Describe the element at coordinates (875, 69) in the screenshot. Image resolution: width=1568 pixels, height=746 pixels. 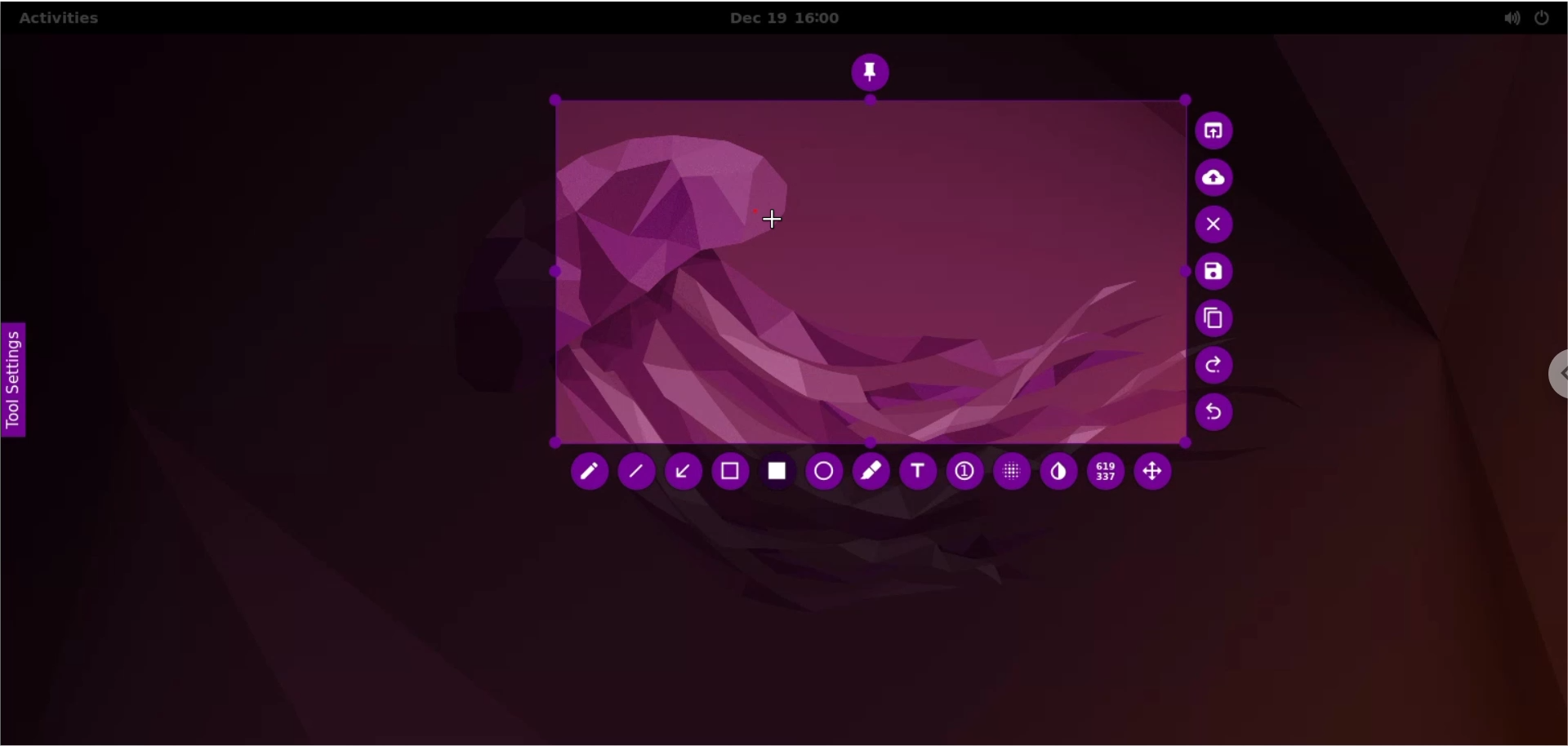
I see `pin ` at that location.